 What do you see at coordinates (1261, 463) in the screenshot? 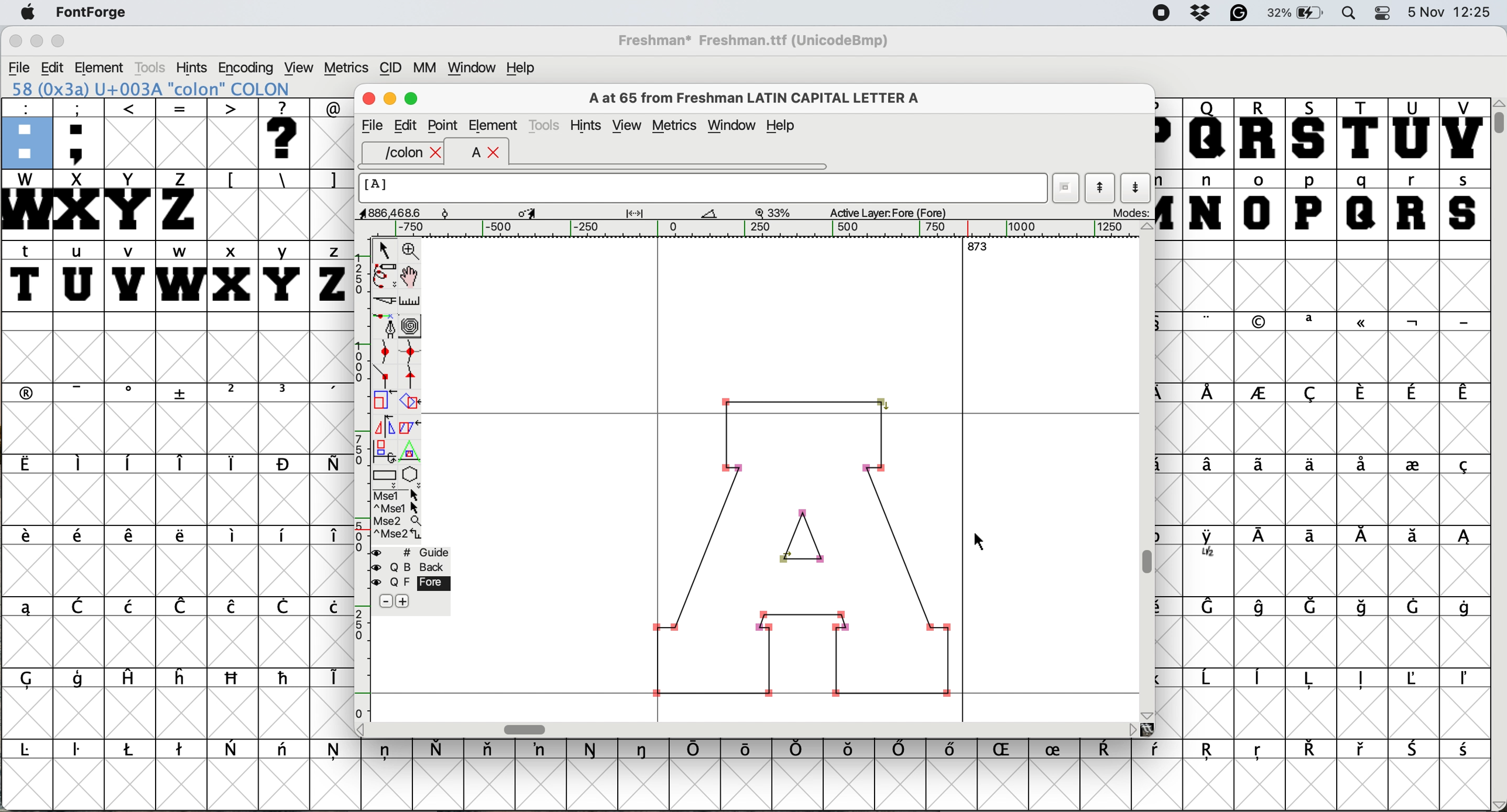
I see `symbol` at bounding box center [1261, 463].